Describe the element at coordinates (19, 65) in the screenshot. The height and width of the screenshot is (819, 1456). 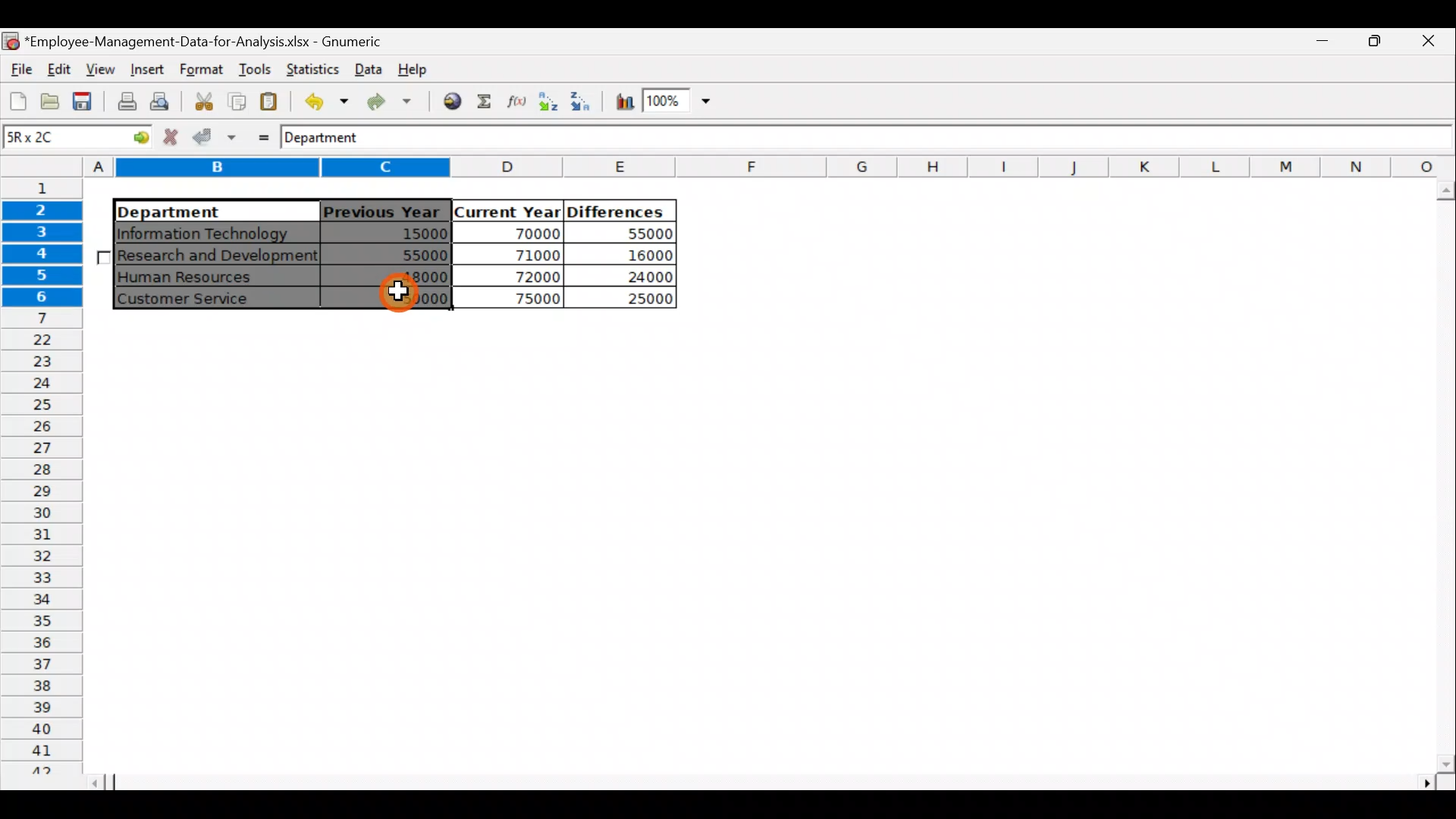
I see `File` at that location.